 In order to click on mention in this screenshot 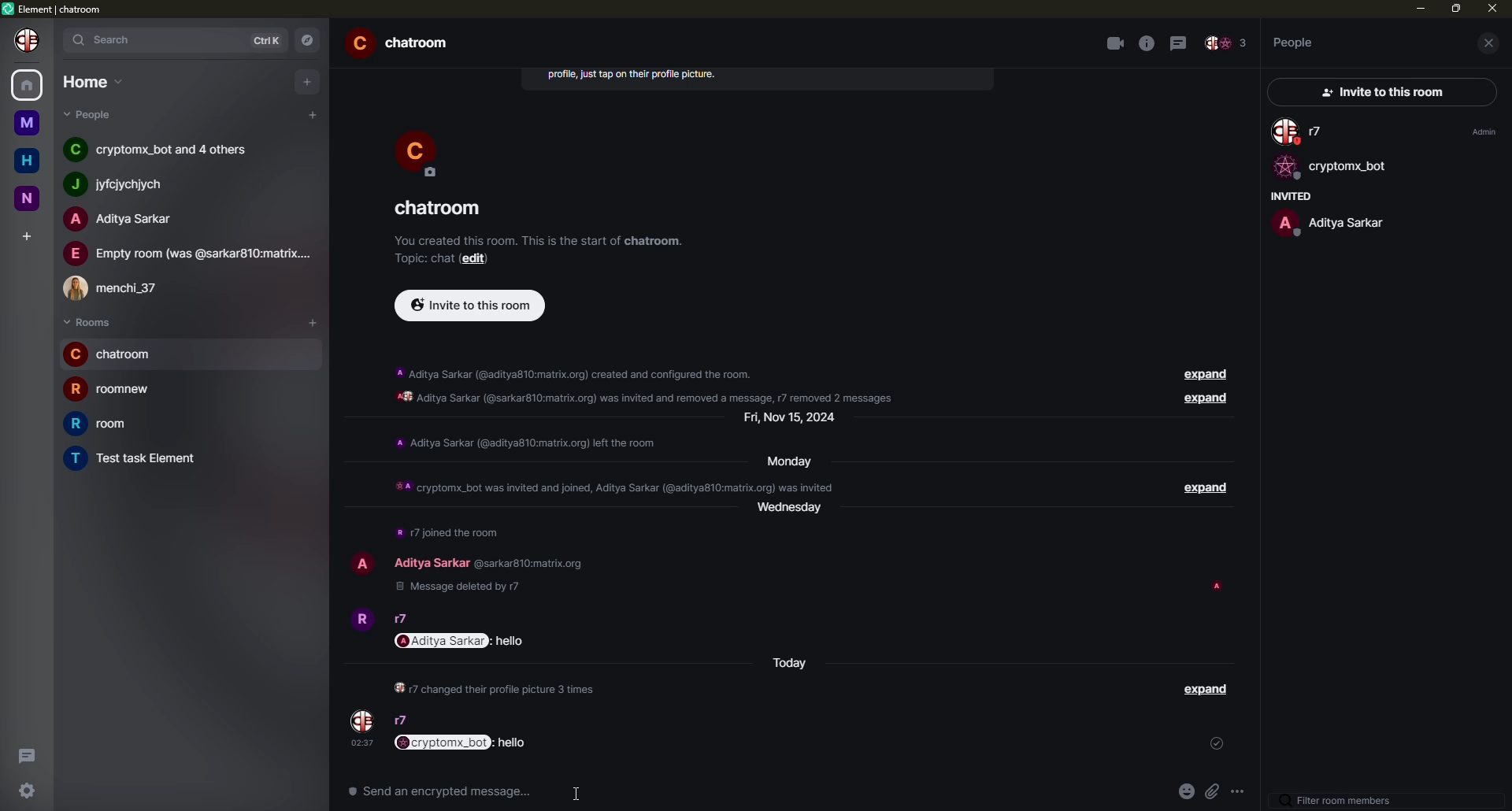, I will do `click(774, 556)`.